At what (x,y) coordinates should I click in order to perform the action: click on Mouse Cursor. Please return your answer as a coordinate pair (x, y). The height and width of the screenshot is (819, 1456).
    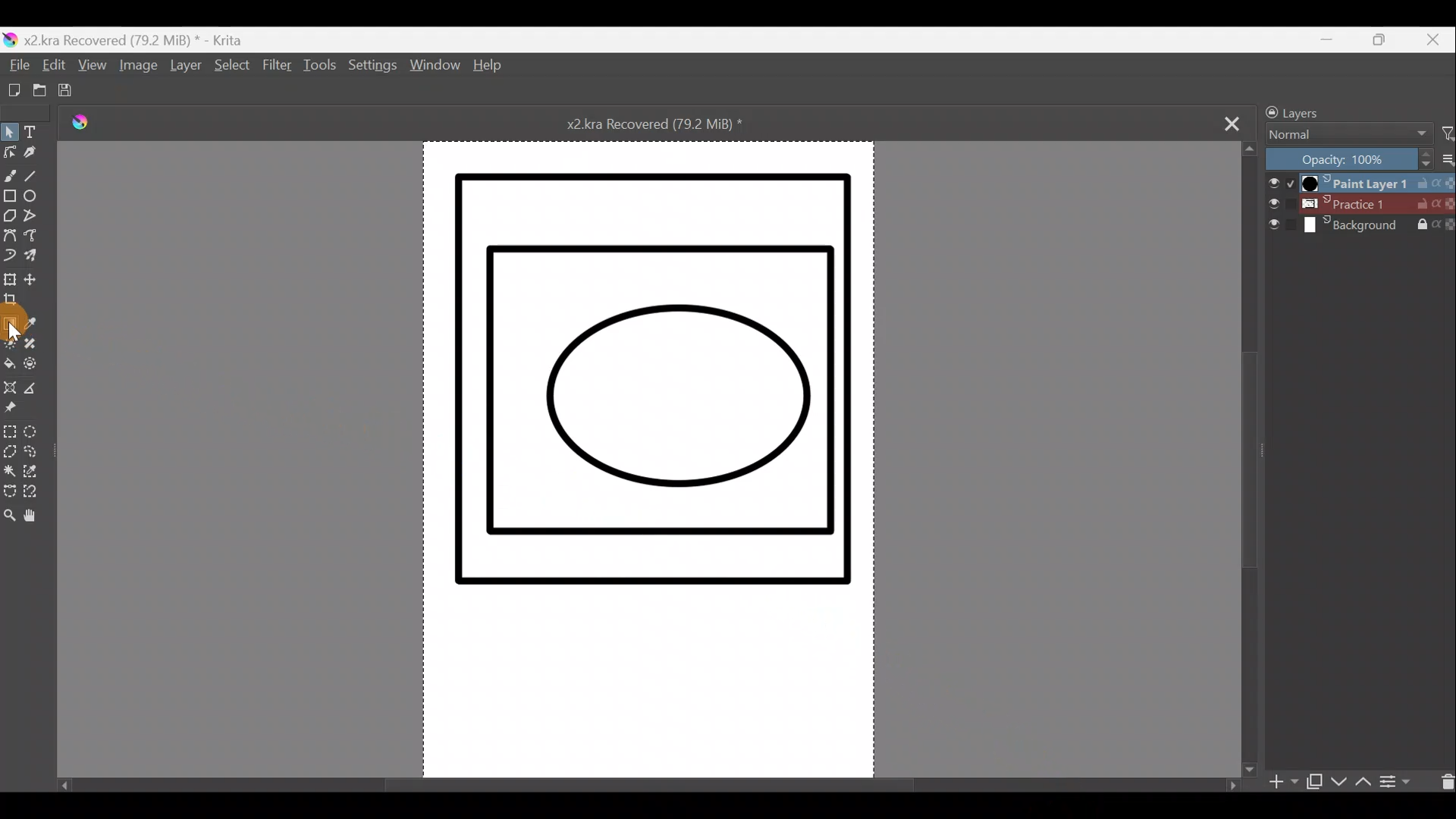
    Looking at the image, I should click on (17, 334).